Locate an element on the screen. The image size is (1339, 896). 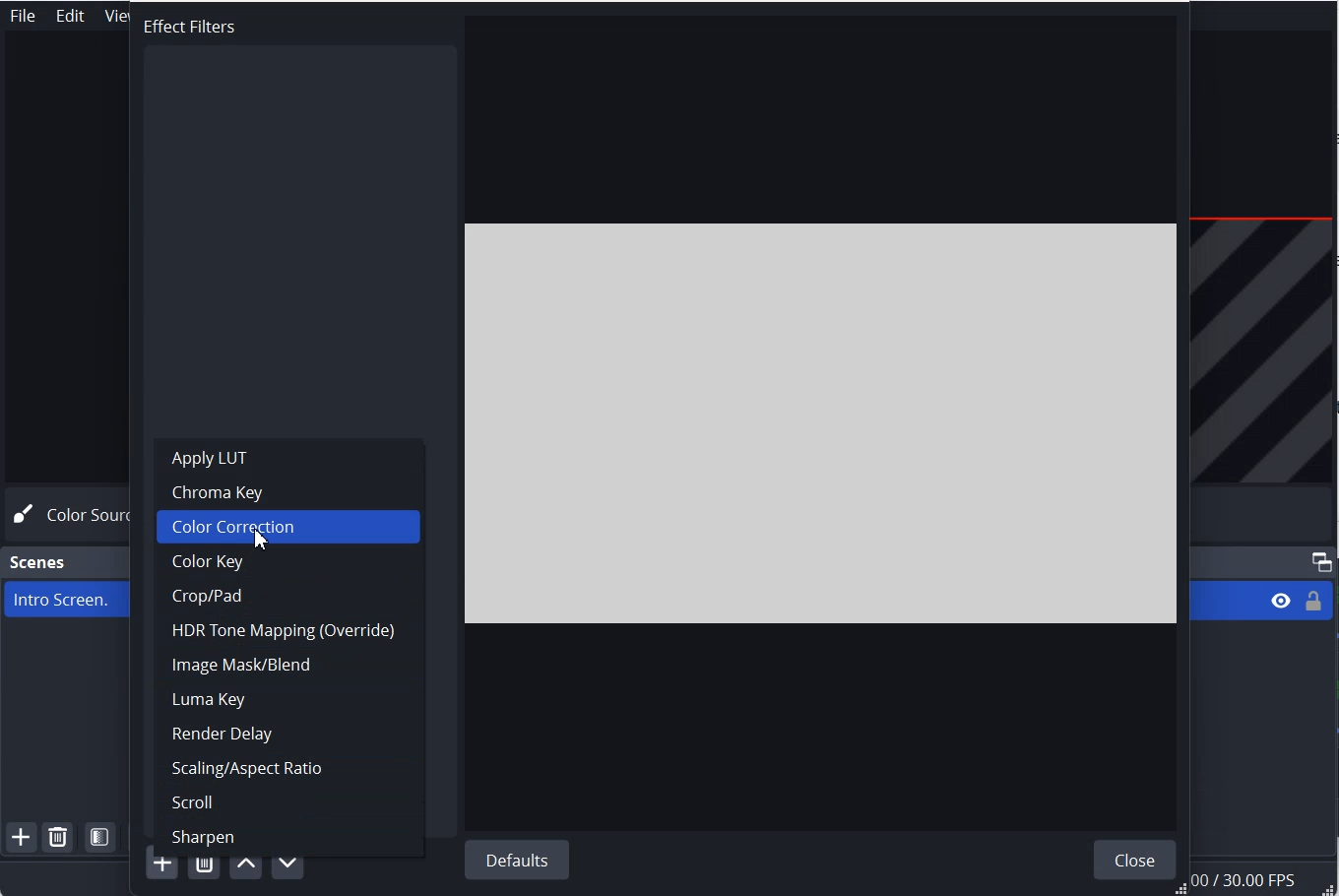
Add Filter is located at coordinates (161, 867).